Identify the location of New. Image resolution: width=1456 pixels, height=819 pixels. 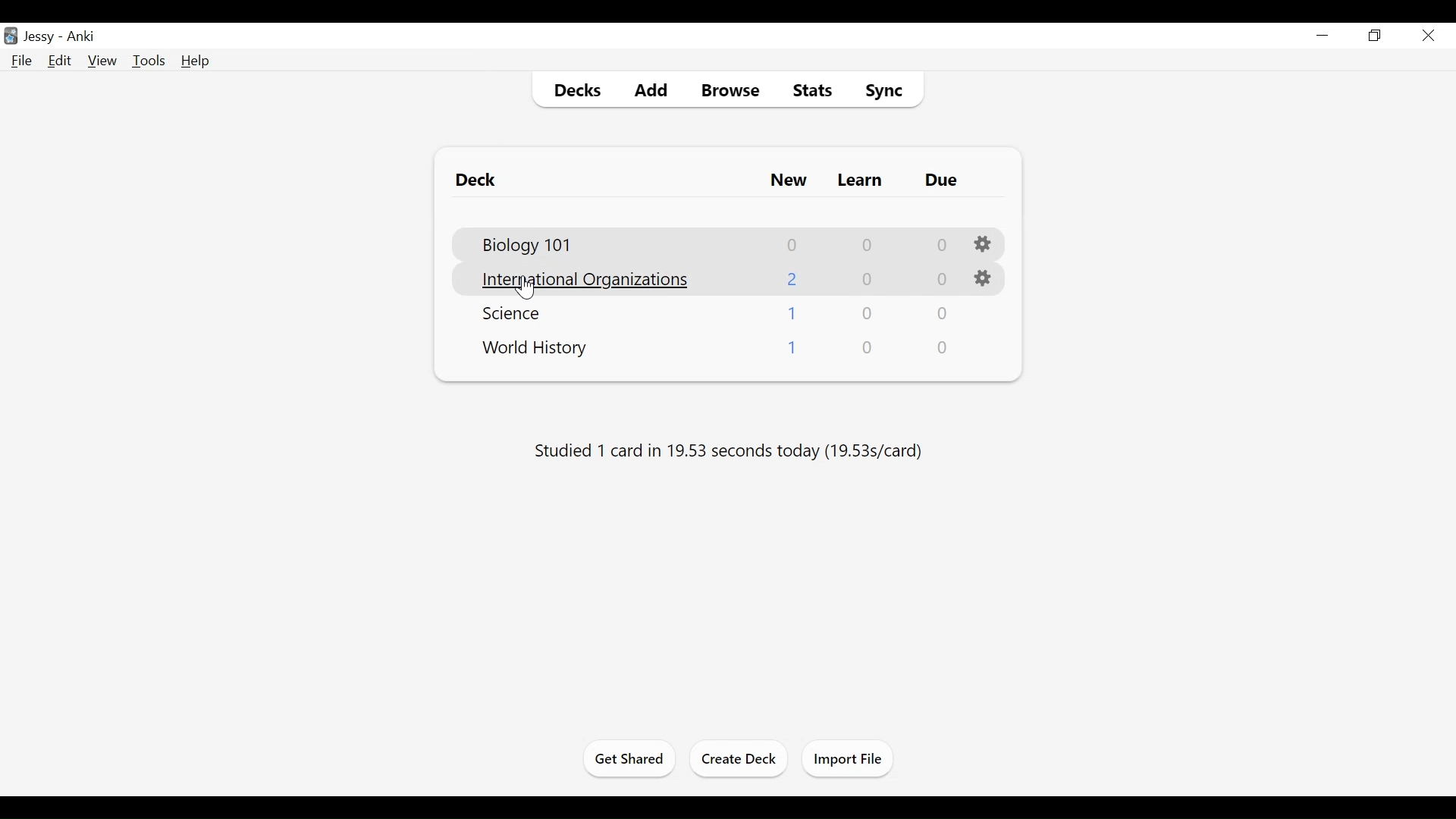
(792, 180).